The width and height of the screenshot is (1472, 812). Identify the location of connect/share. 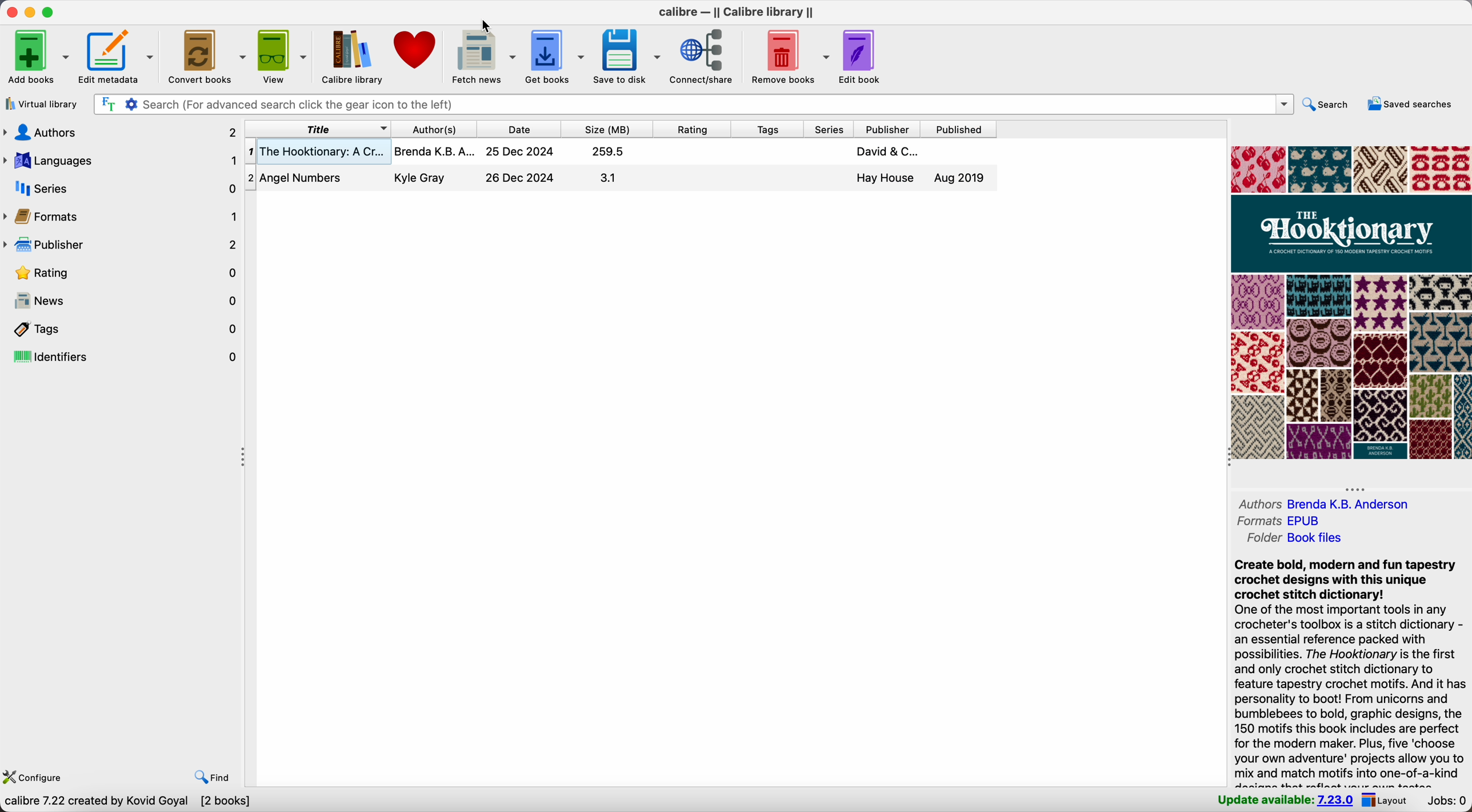
(704, 56).